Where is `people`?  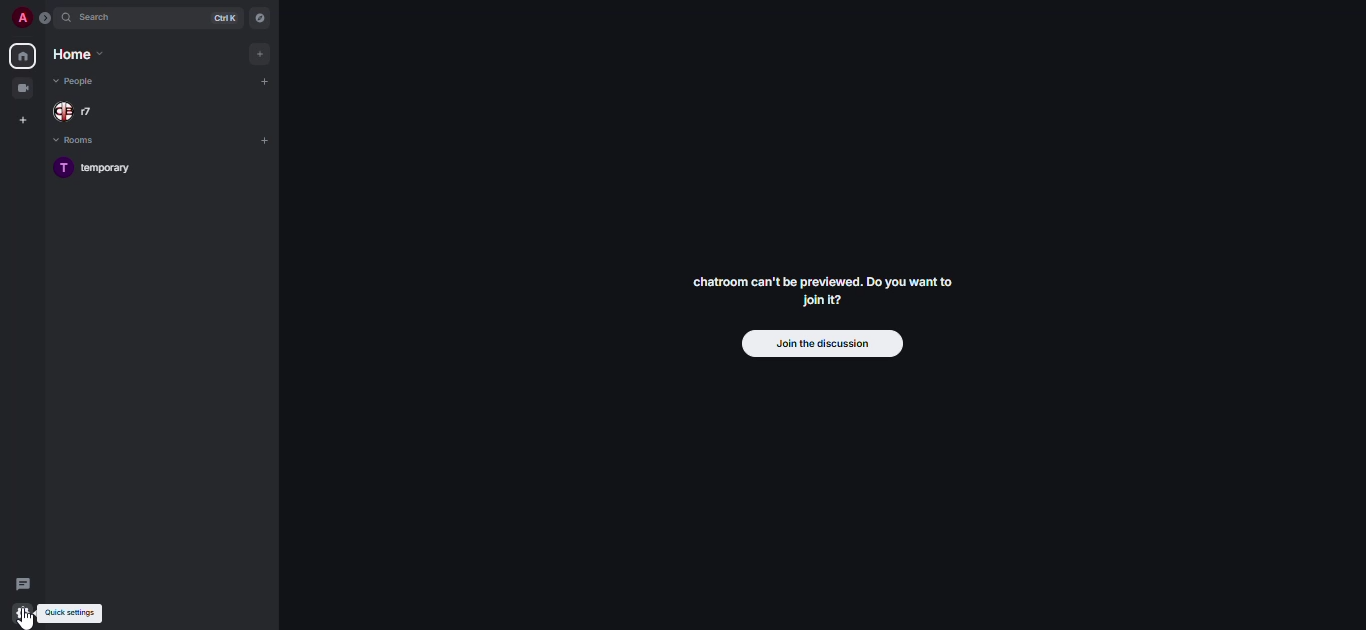
people is located at coordinates (83, 112).